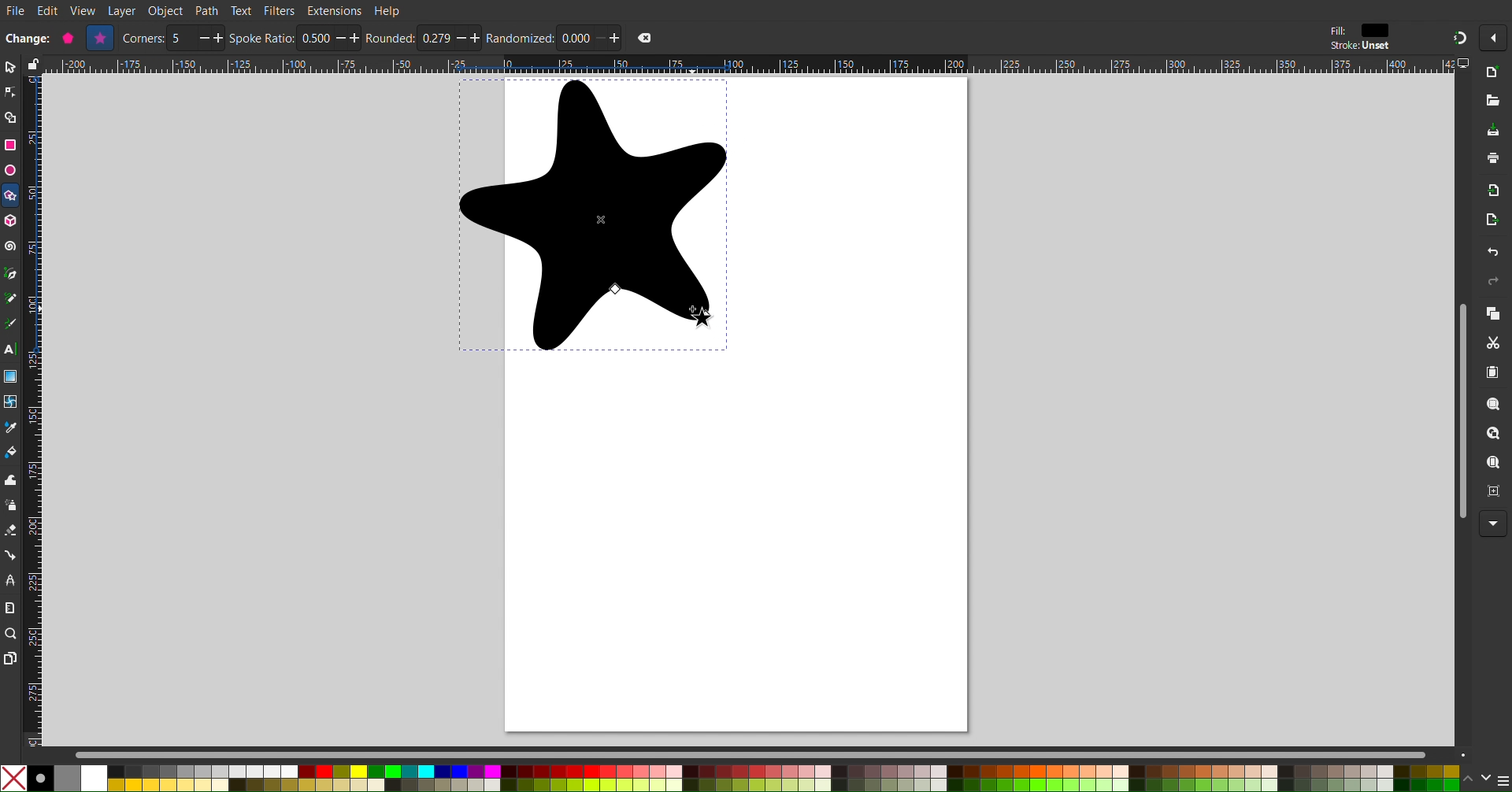 Image resolution: width=1512 pixels, height=792 pixels. I want to click on Save, so click(1493, 131).